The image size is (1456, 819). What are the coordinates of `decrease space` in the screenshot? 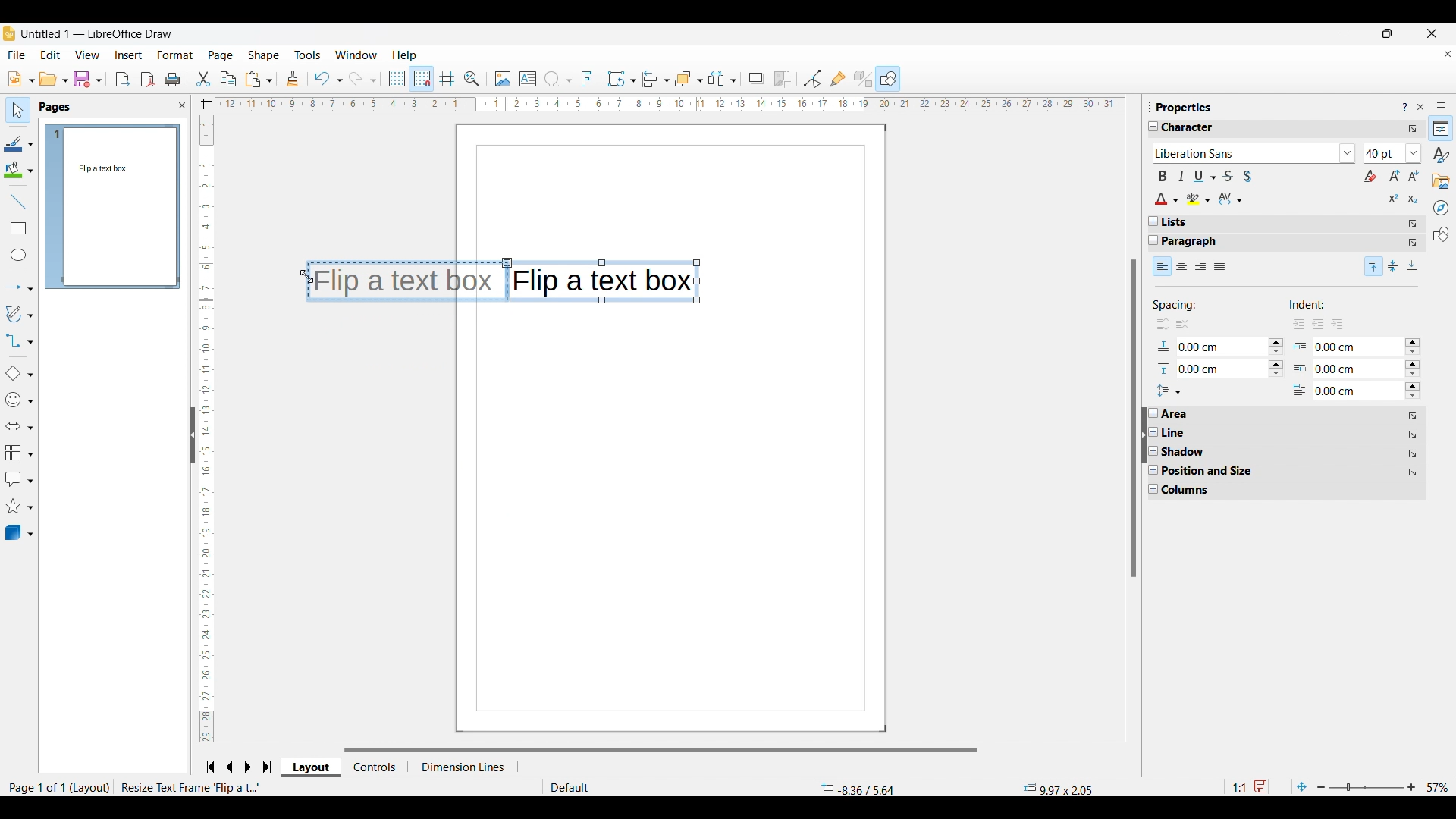 It's located at (1183, 324).